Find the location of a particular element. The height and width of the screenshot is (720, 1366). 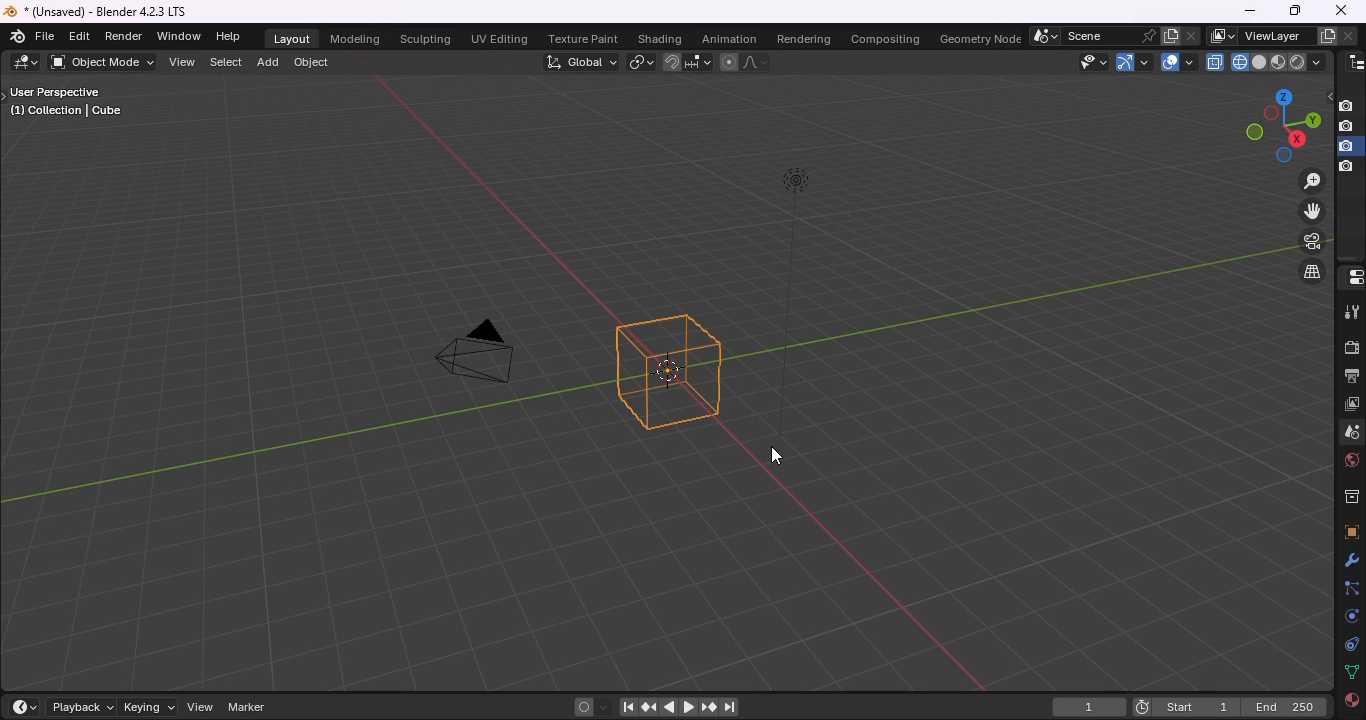

move the view is located at coordinates (1311, 211).